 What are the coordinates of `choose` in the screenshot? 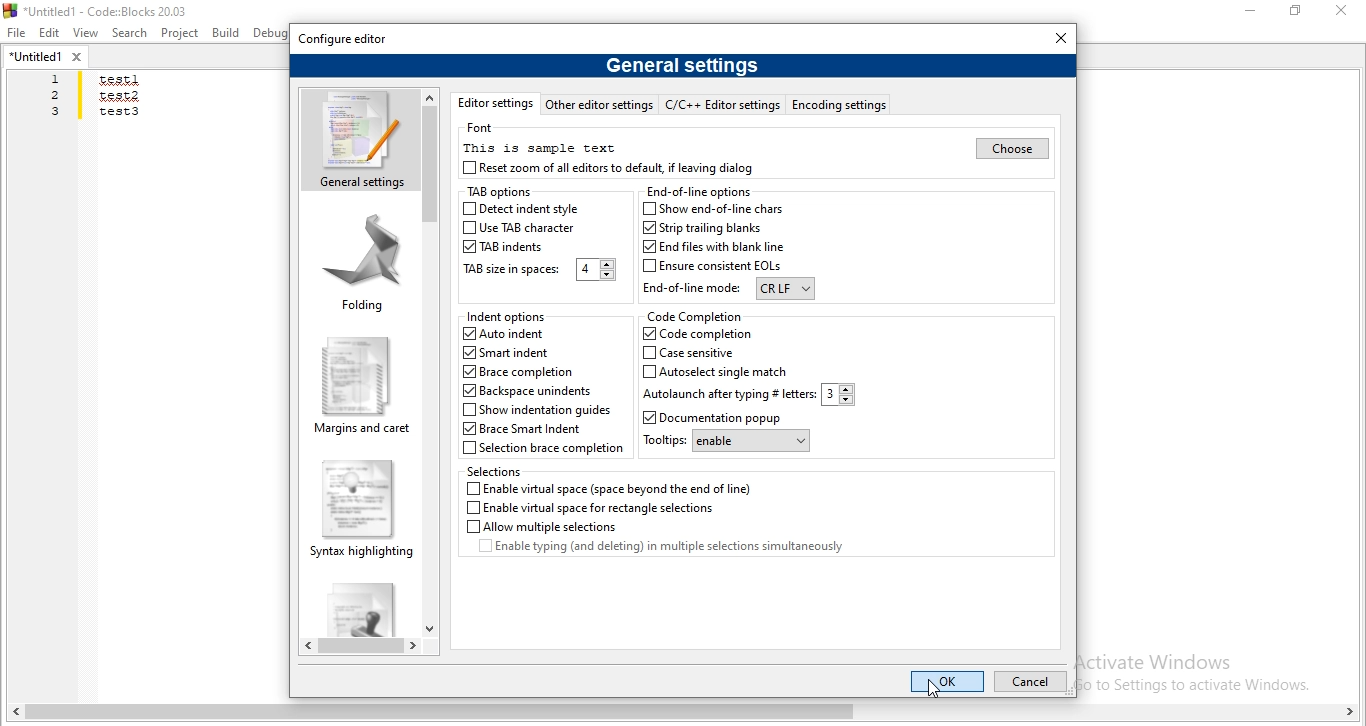 It's located at (1010, 148).